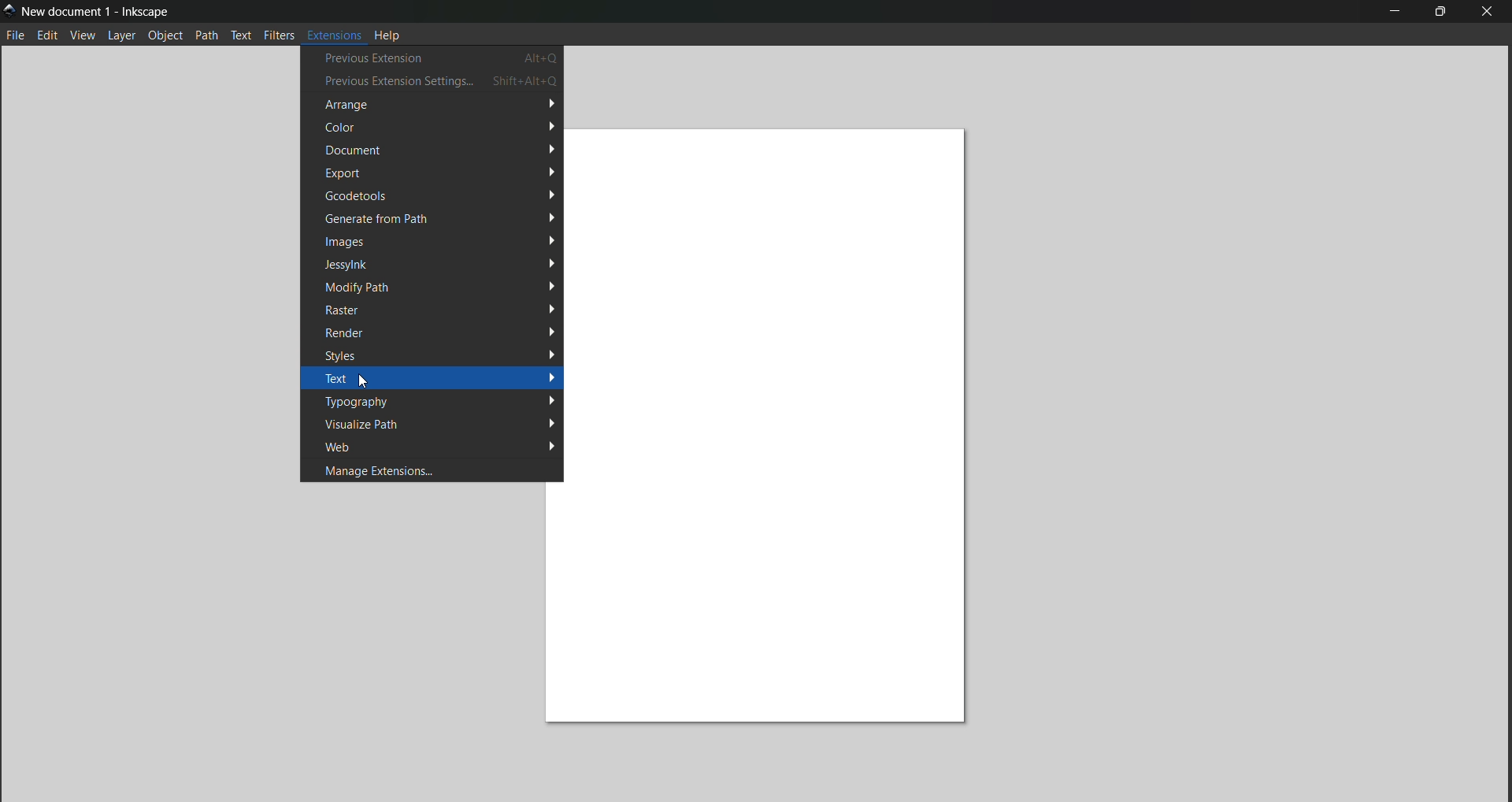 The image size is (1512, 802). Describe the element at coordinates (1395, 12) in the screenshot. I see `minimize` at that location.